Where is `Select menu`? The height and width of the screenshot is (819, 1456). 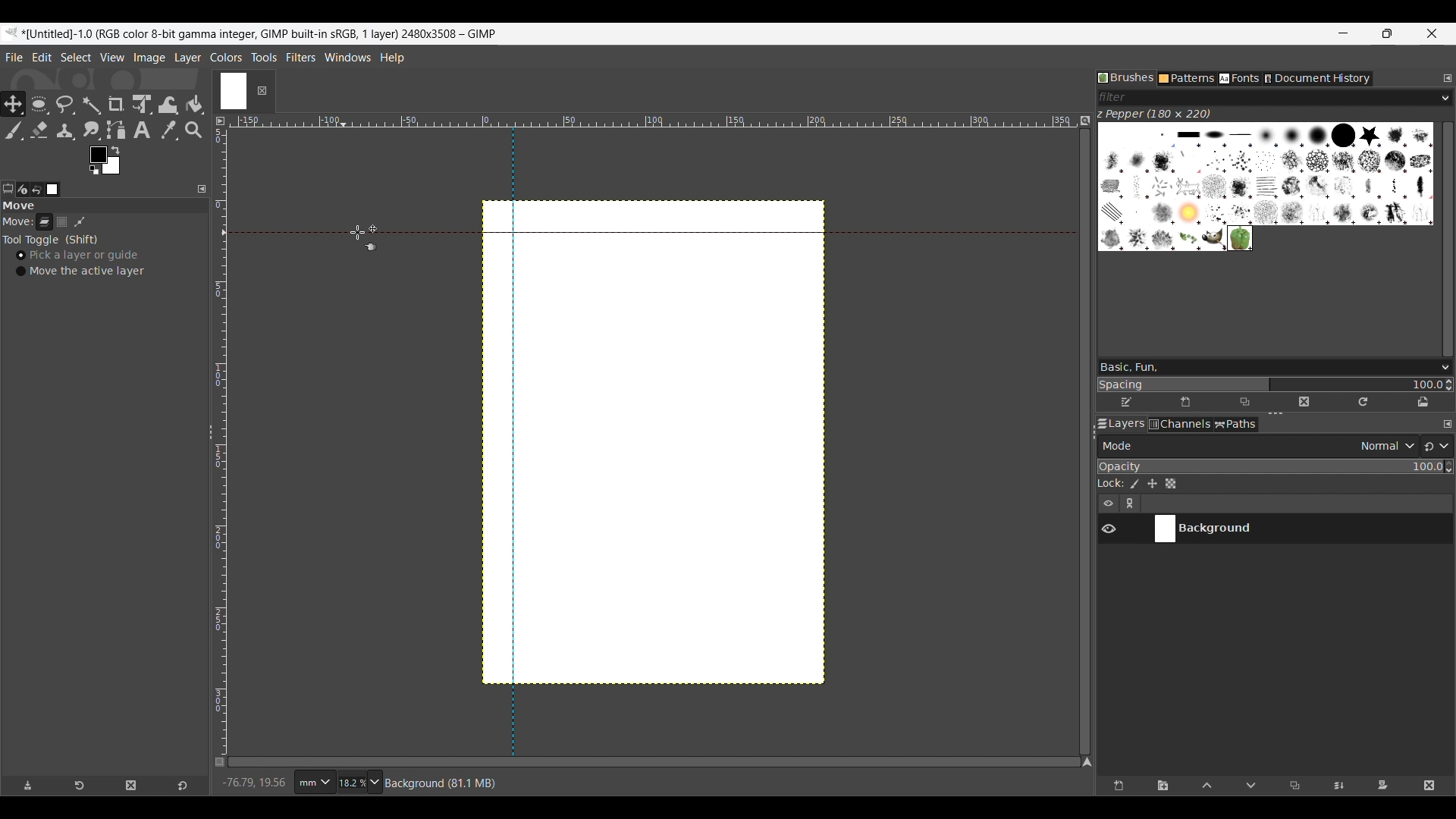 Select menu is located at coordinates (76, 57).